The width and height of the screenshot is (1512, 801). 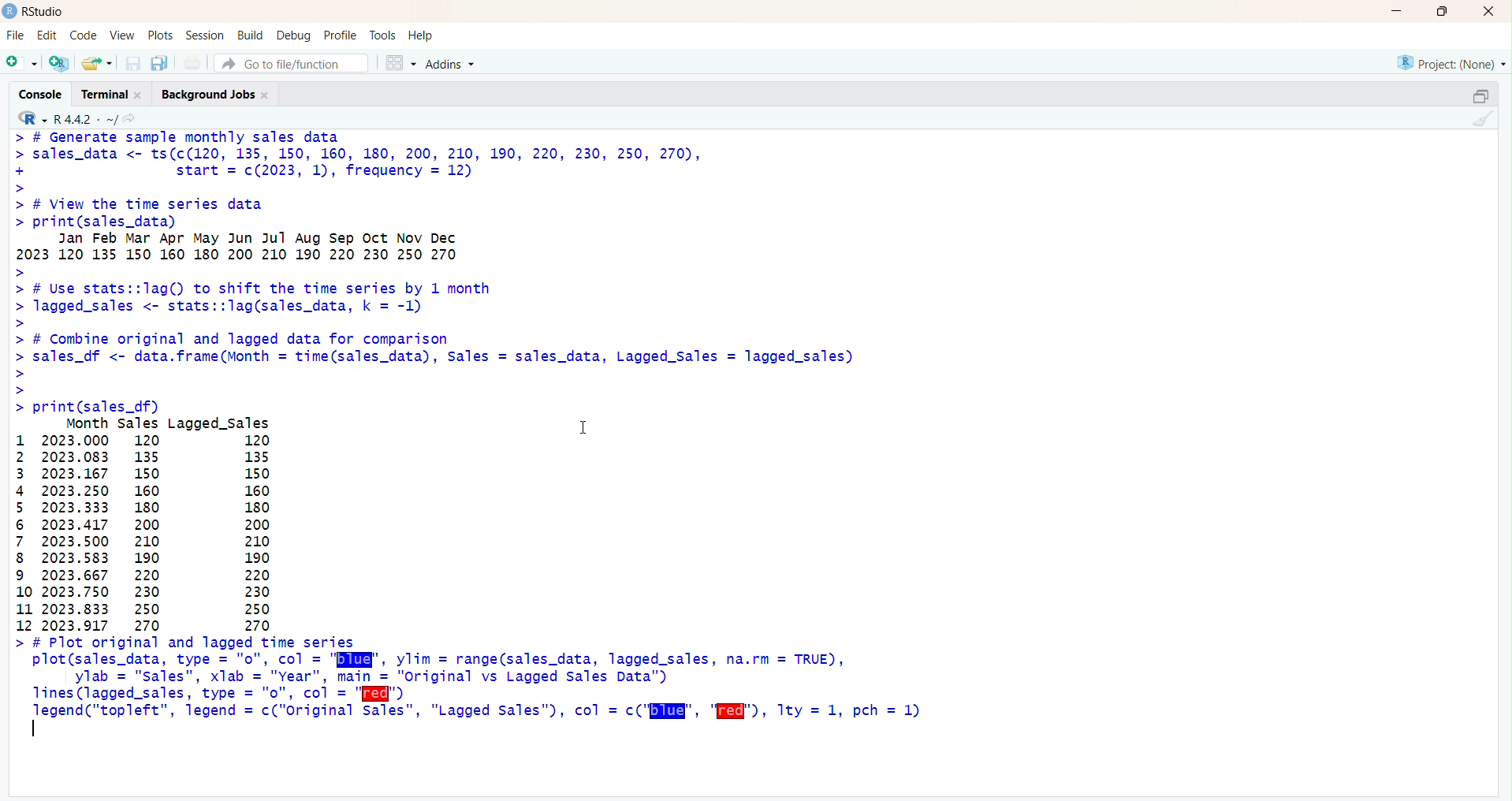 I want to click on workspace panes, so click(x=400, y=62).